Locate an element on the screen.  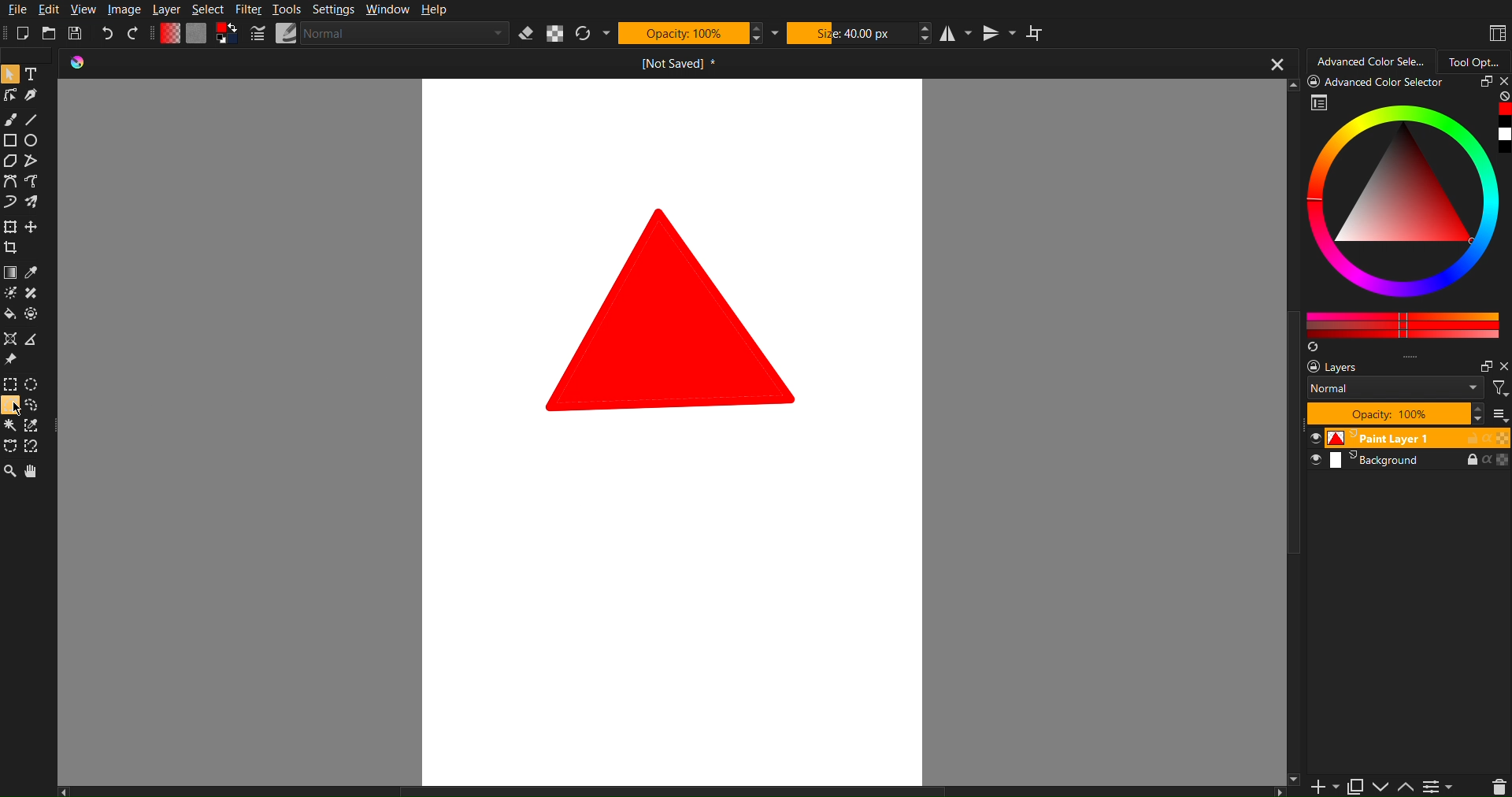
Angle is located at coordinates (34, 445).